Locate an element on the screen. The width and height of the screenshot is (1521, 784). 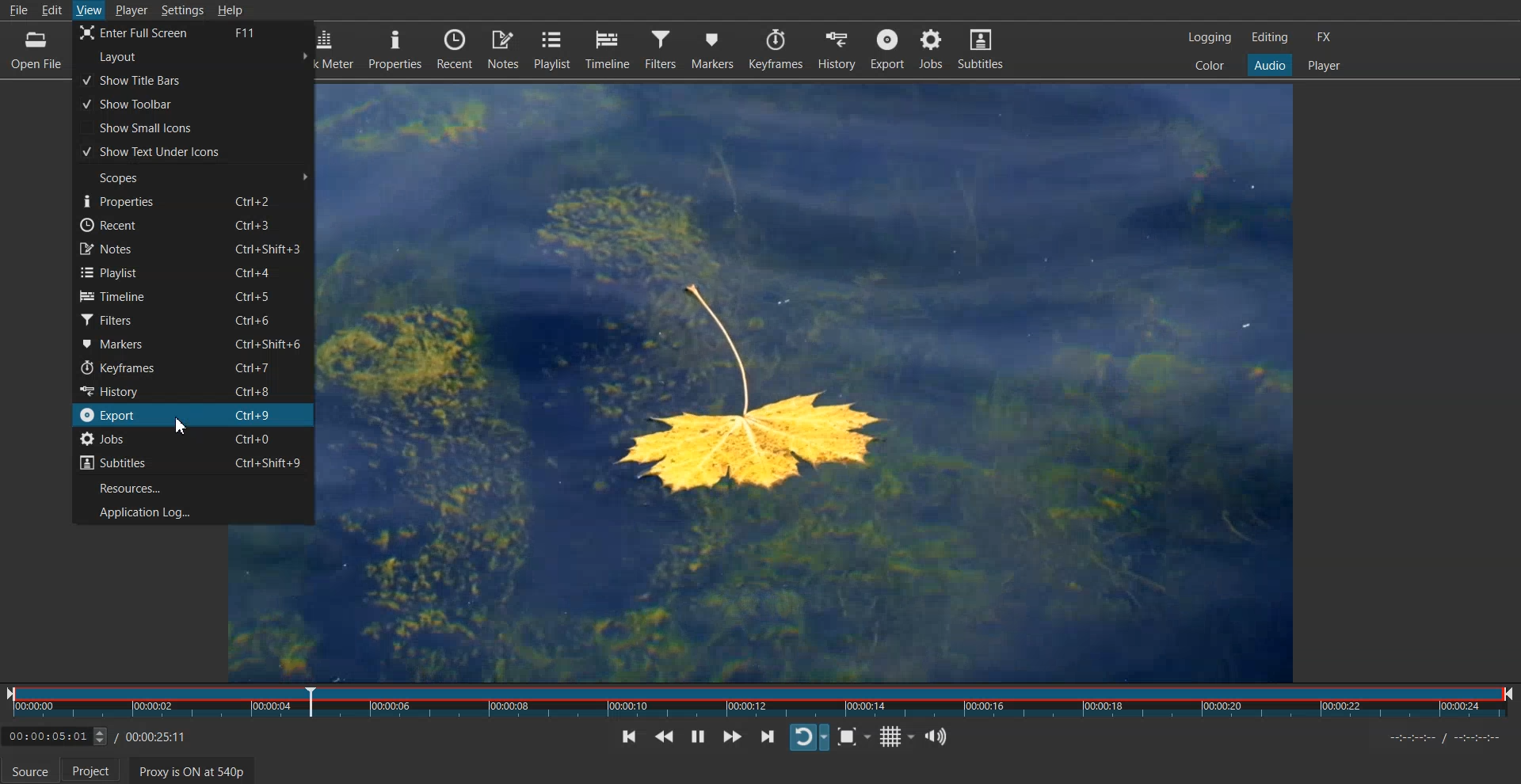
Enter Full Screen is located at coordinates (193, 33).